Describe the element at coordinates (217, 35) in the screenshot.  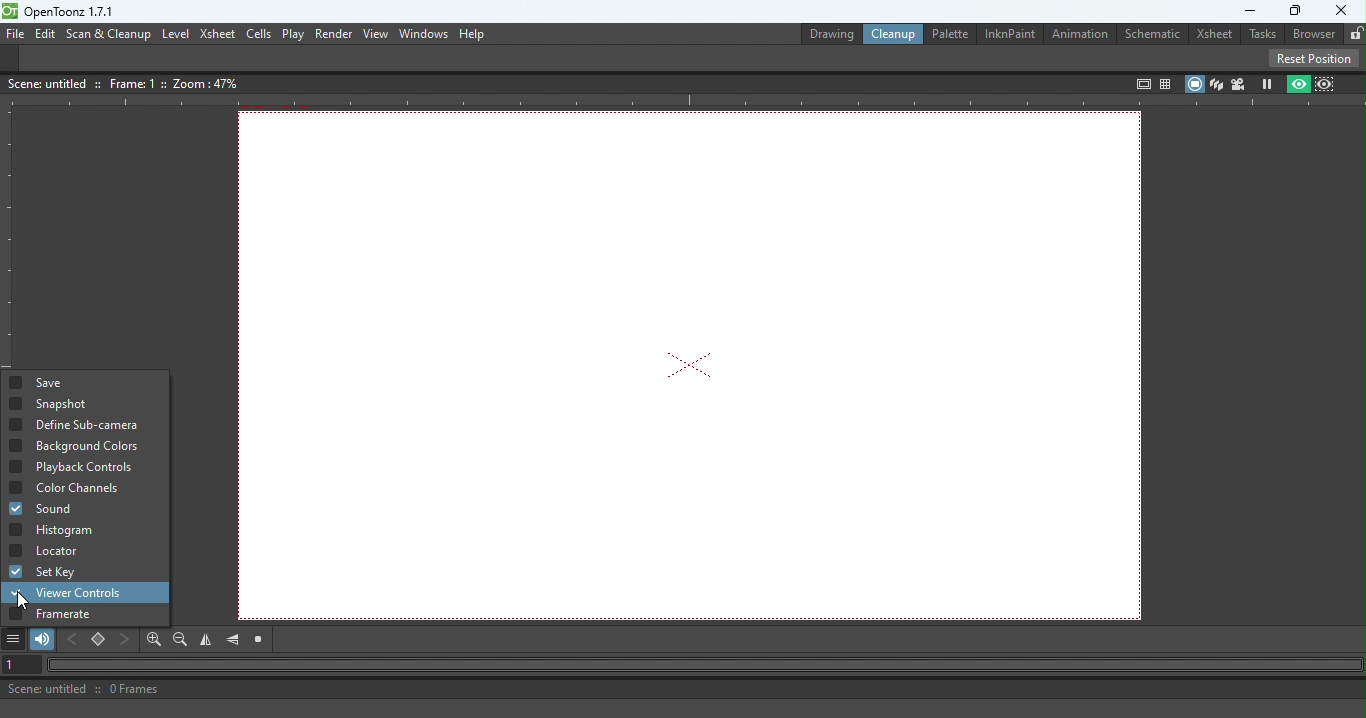
I see `Xsheet` at that location.